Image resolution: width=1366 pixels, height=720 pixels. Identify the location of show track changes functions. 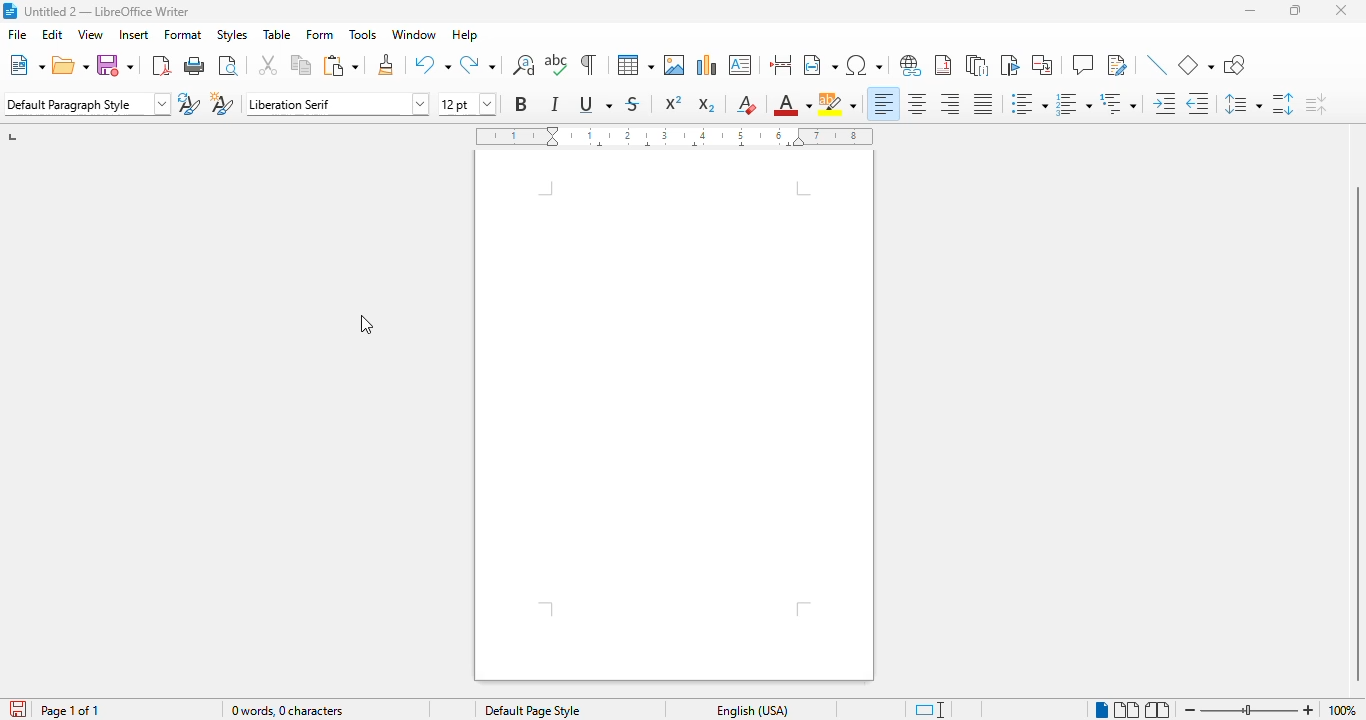
(1117, 65).